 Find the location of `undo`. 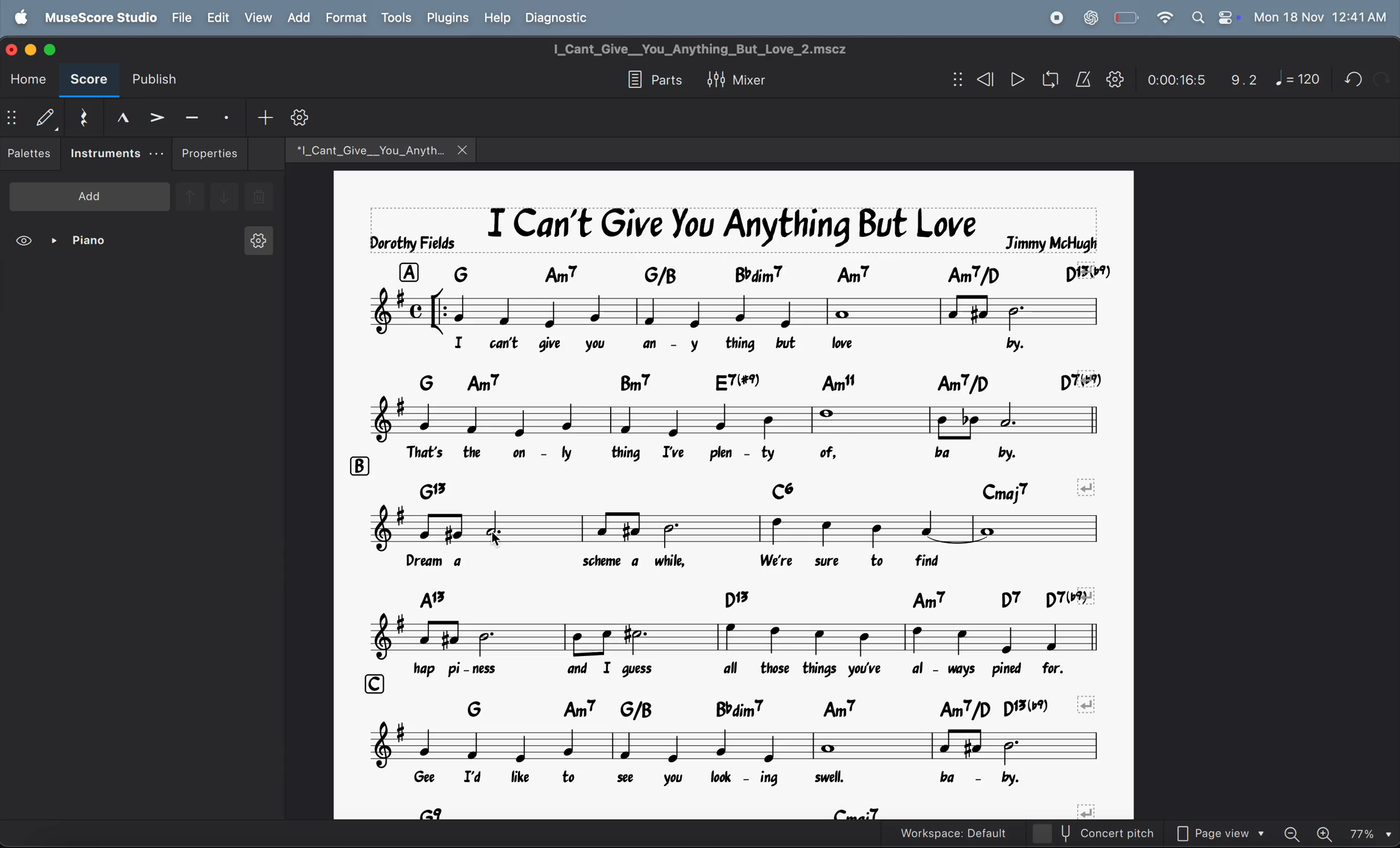

undo is located at coordinates (1351, 79).